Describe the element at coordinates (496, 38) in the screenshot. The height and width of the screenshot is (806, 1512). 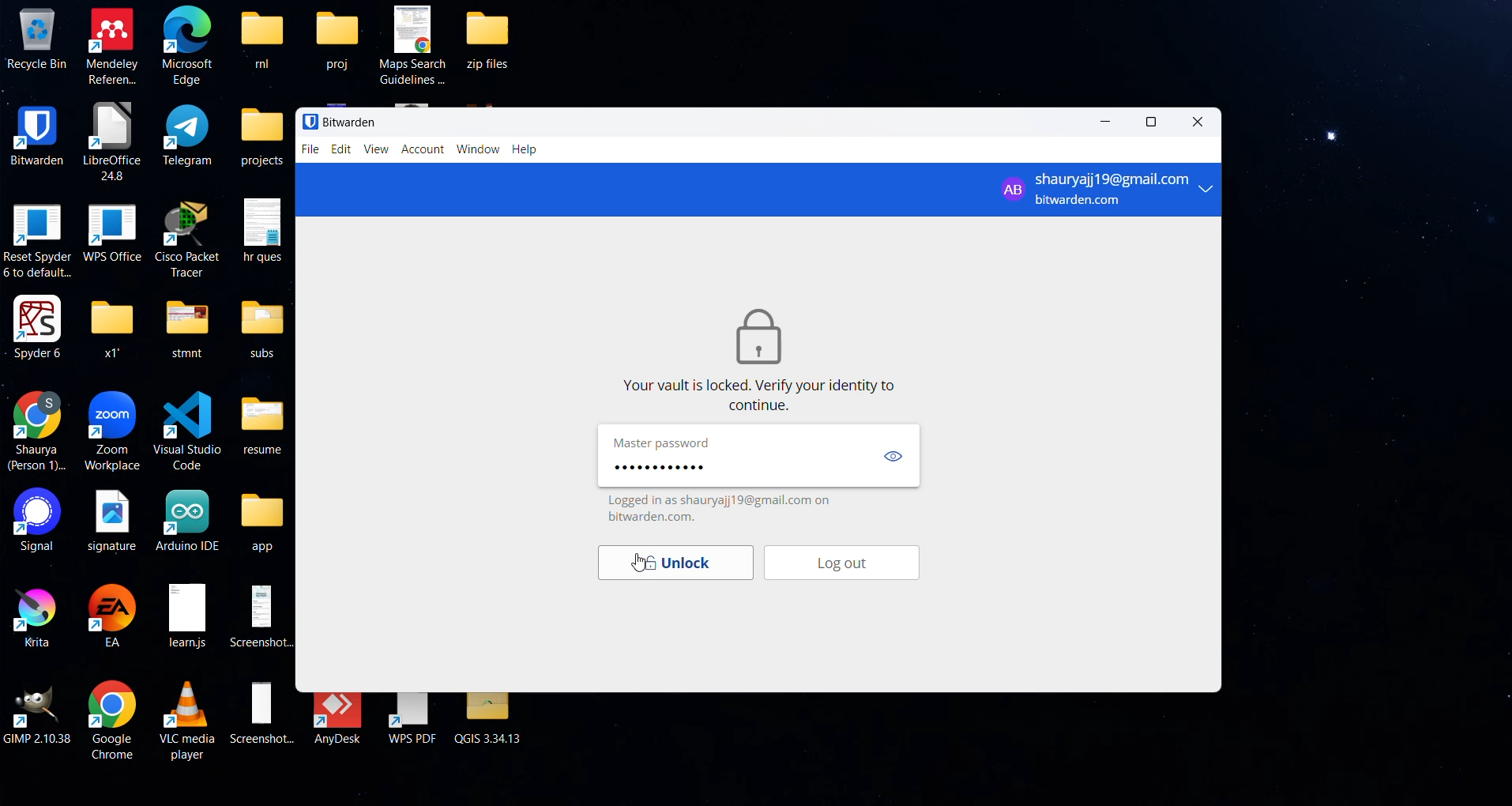
I see `zip files` at that location.